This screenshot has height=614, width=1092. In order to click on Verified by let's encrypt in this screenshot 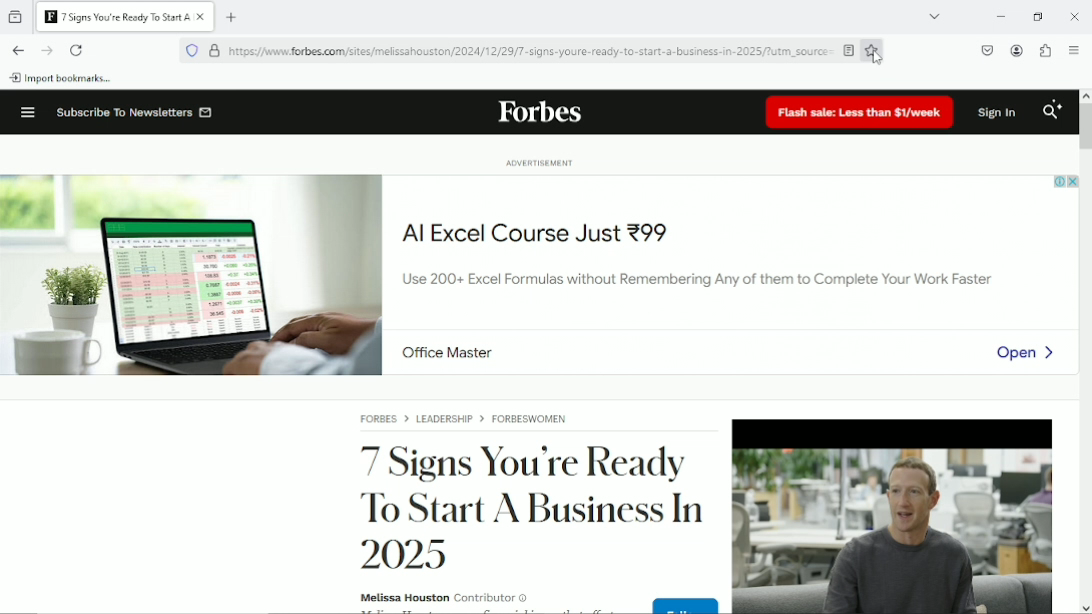, I will do `click(214, 51)`.